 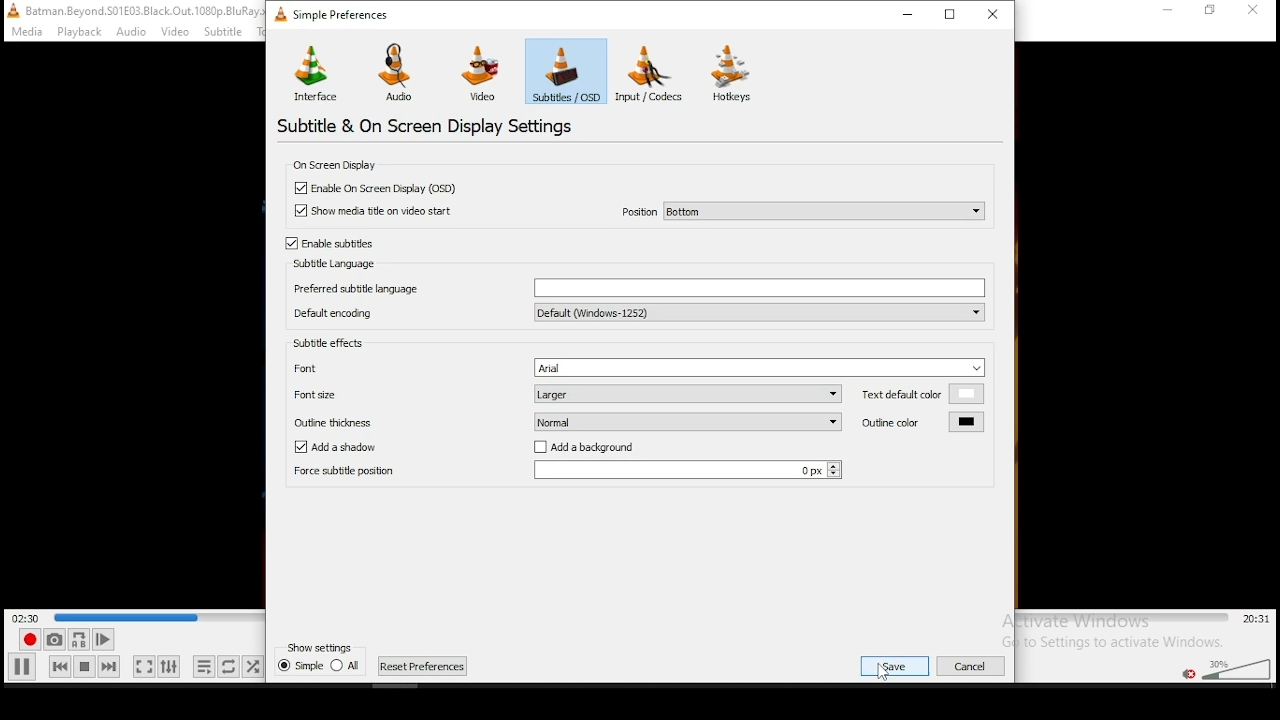 I want to click on subtitle and on screen display, so click(x=440, y=126).